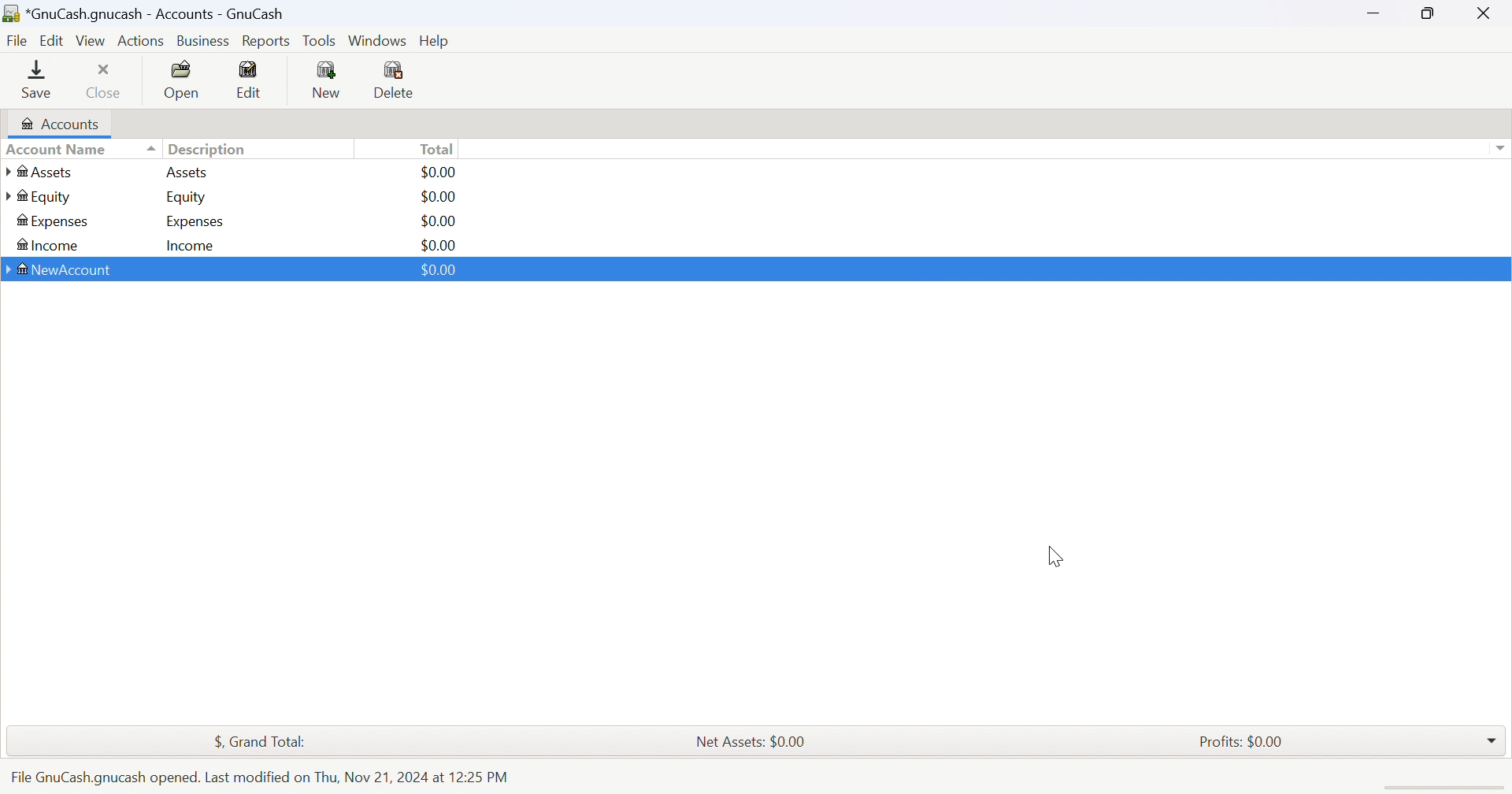 Image resolution: width=1512 pixels, height=794 pixels. Describe the element at coordinates (17, 42) in the screenshot. I see `File` at that location.